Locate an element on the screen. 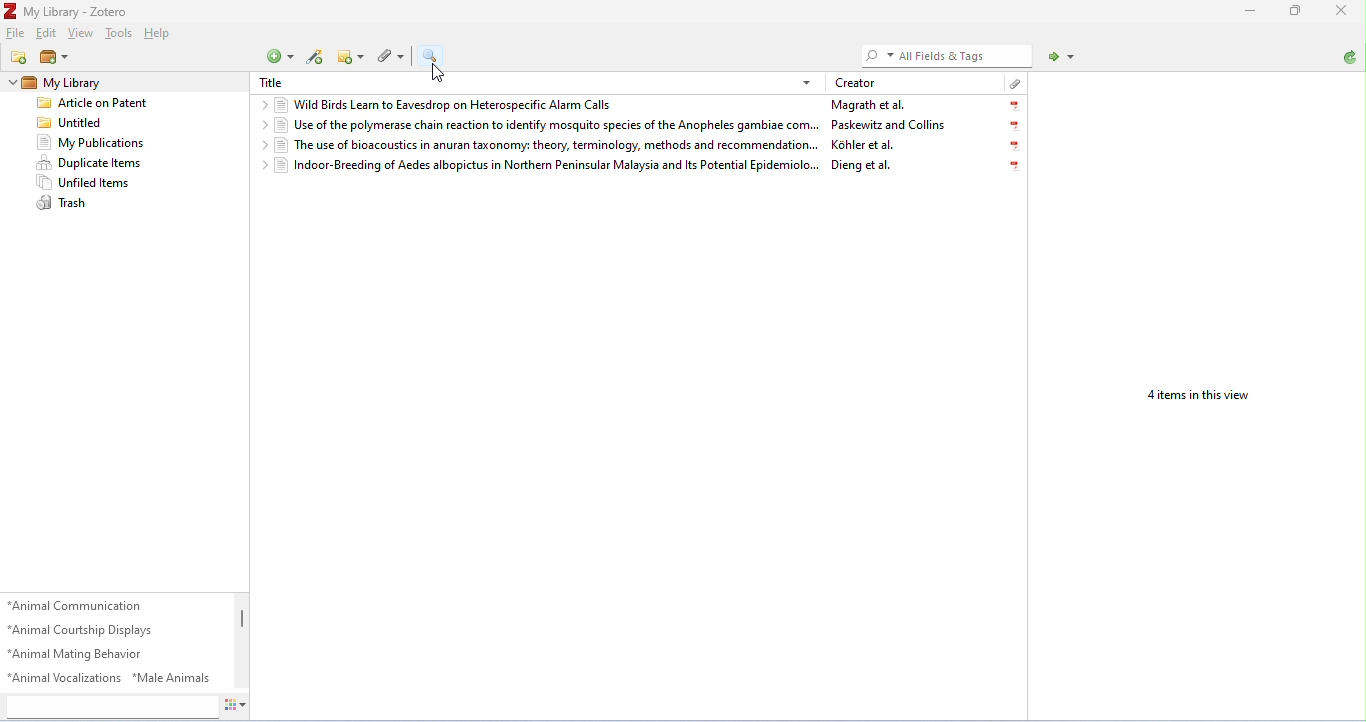 The height and width of the screenshot is (722, 1366). tools is located at coordinates (122, 34).